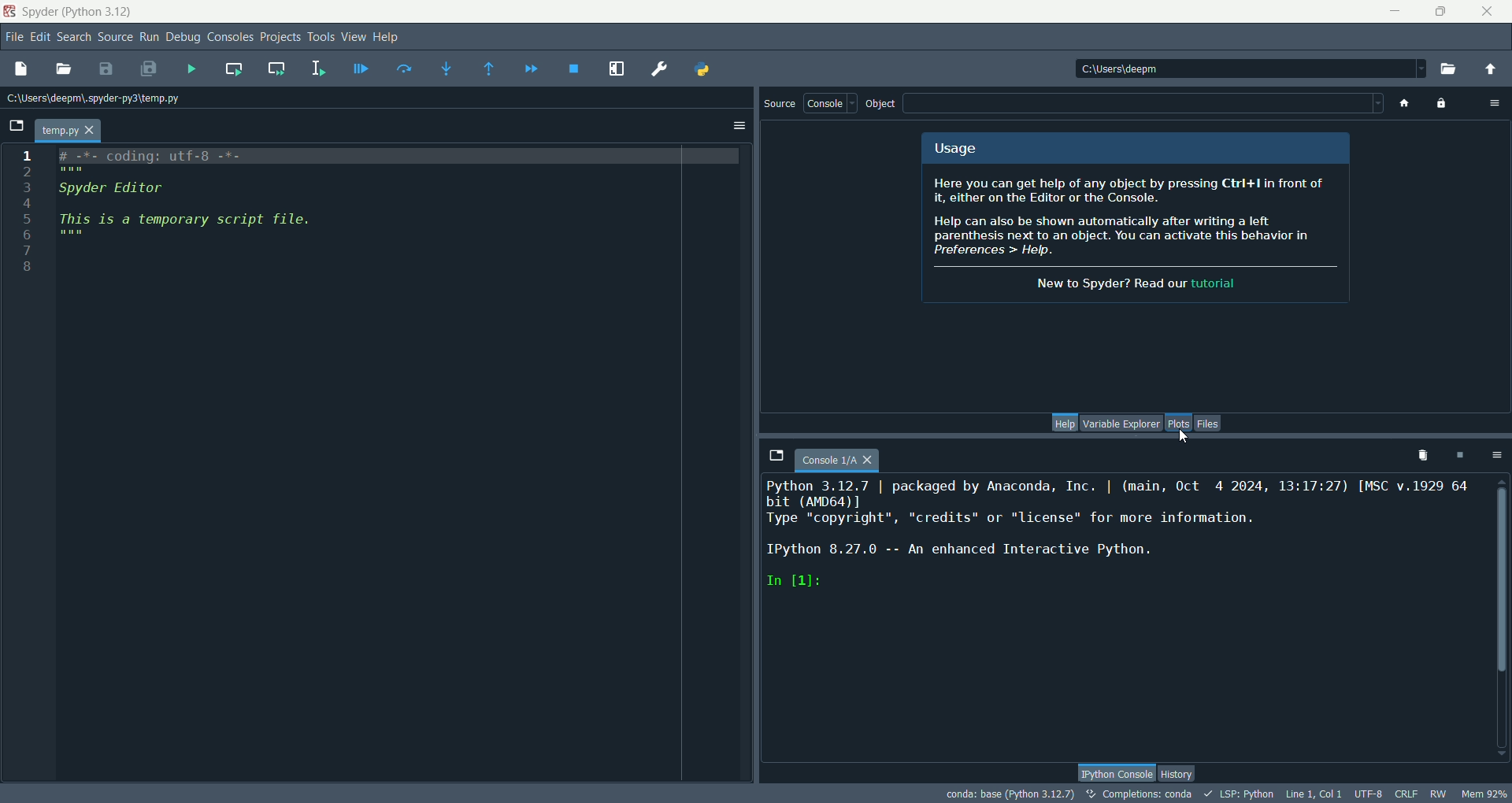 The height and width of the screenshot is (803, 1512). I want to click on IPython console, so click(1117, 773).